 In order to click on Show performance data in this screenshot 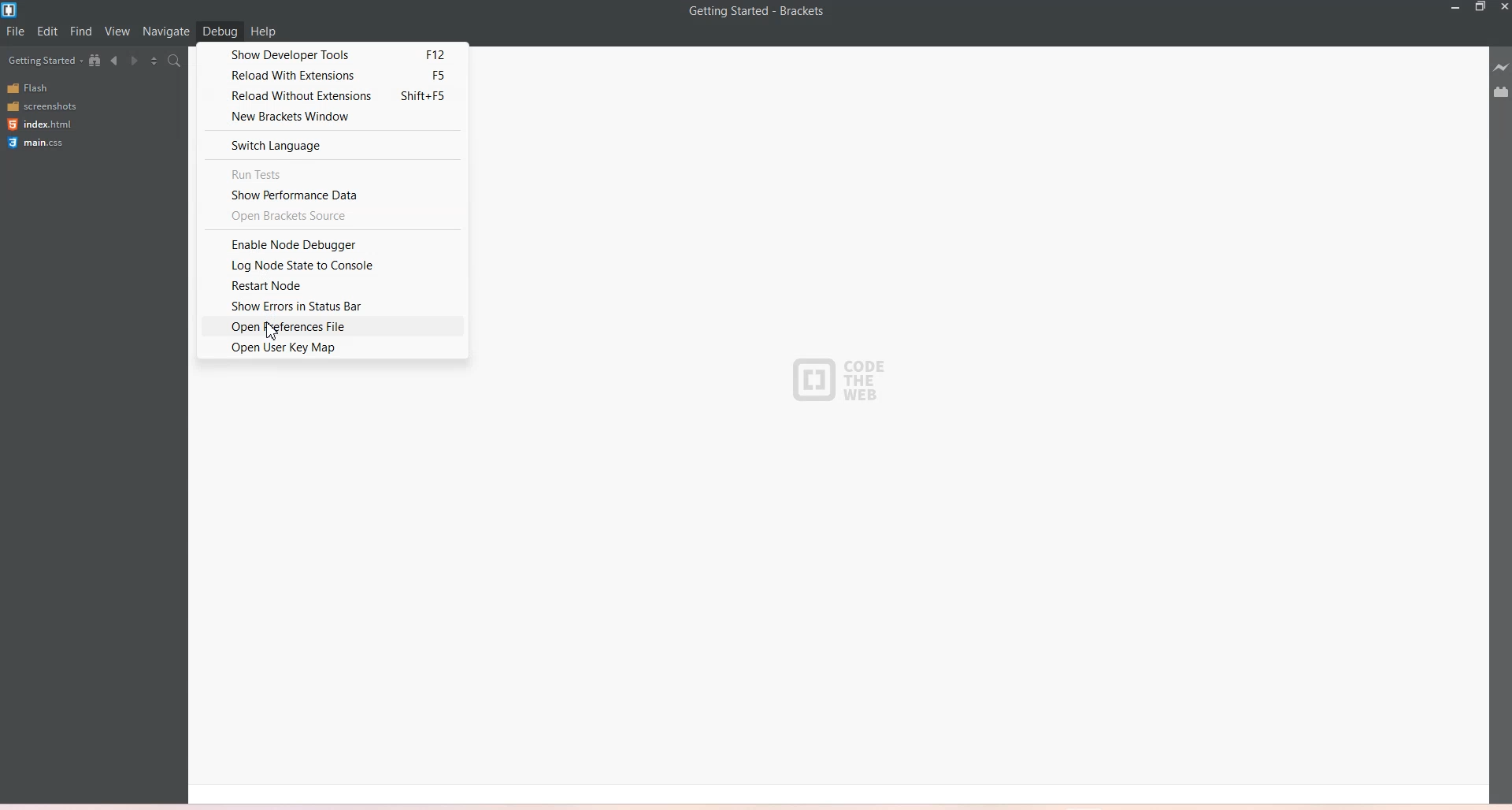, I will do `click(333, 195)`.